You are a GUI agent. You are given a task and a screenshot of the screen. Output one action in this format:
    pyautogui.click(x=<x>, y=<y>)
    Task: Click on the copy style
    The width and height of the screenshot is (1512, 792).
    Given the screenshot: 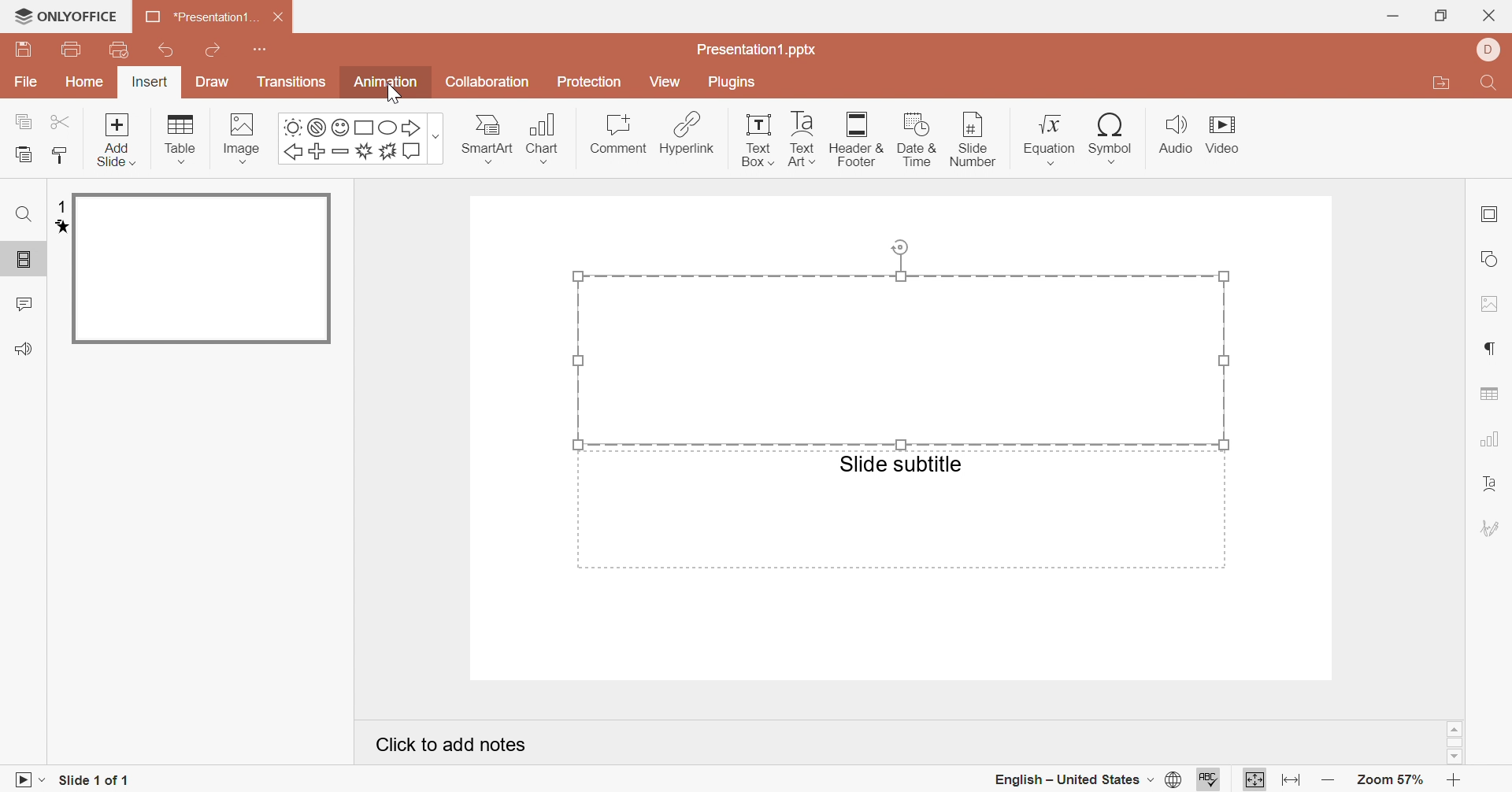 What is the action you would take?
    pyautogui.click(x=61, y=154)
    